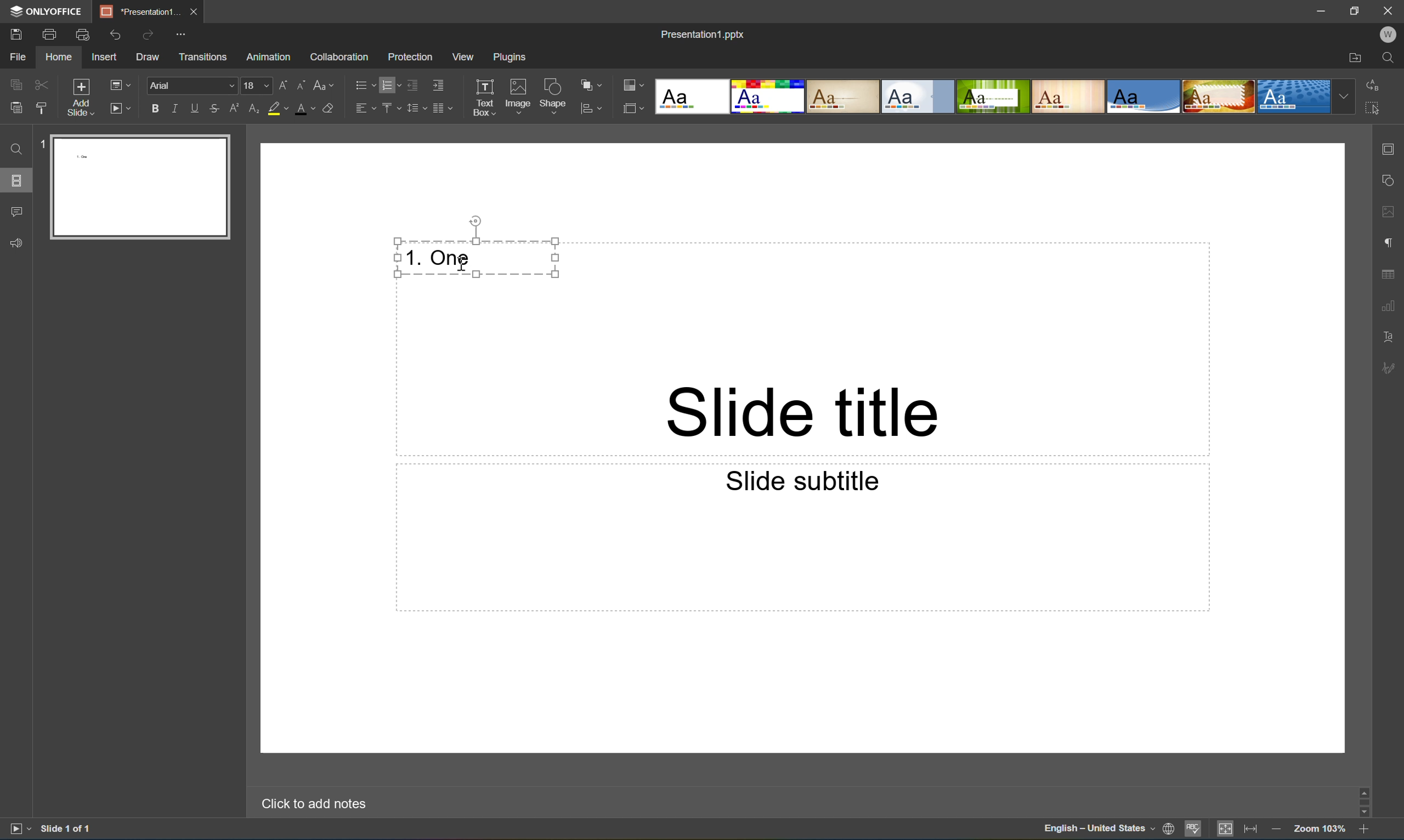 This screenshot has width=1404, height=840. I want to click on Spell checking, so click(1193, 829).